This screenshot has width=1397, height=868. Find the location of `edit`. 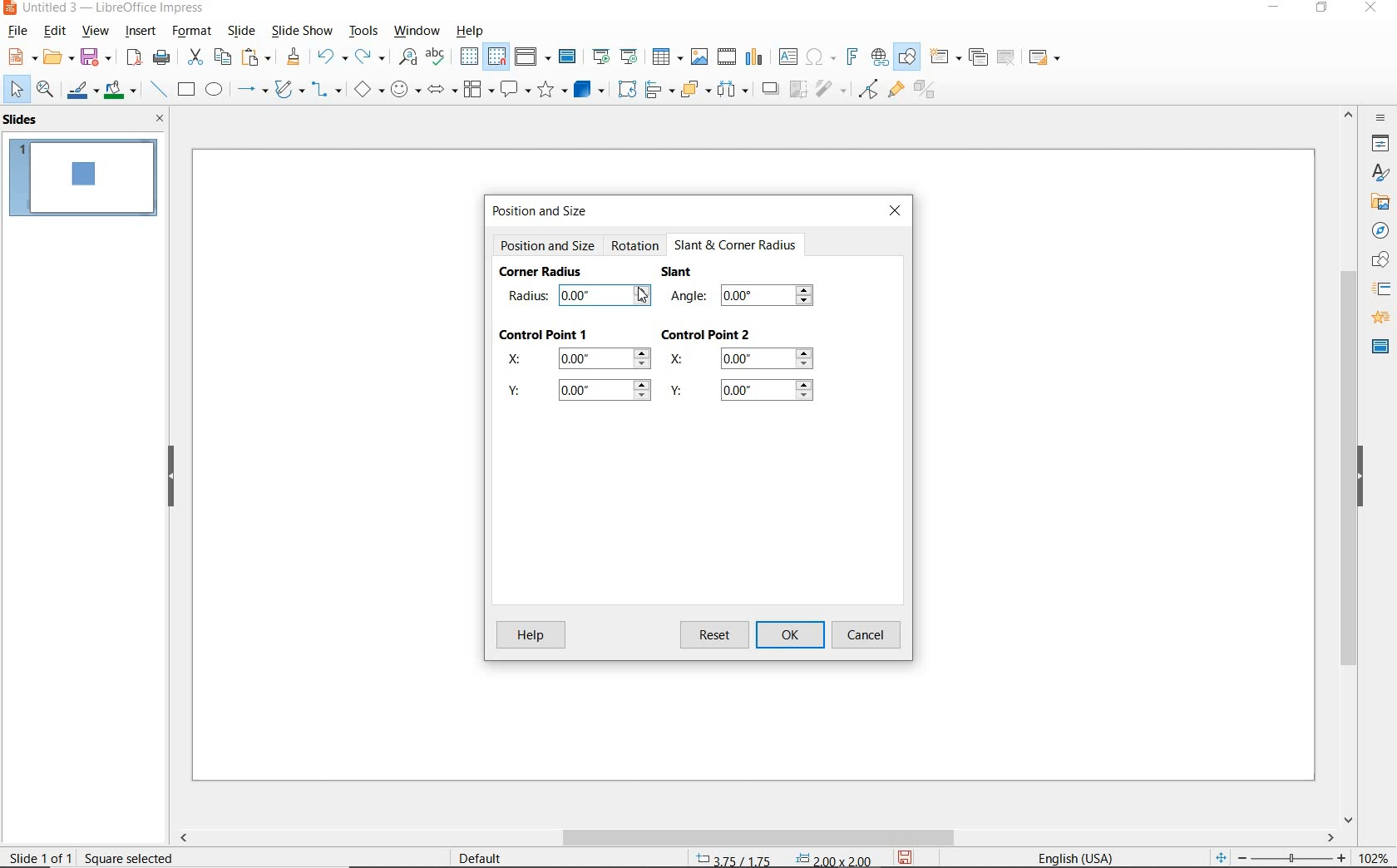

edit is located at coordinates (55, 32).